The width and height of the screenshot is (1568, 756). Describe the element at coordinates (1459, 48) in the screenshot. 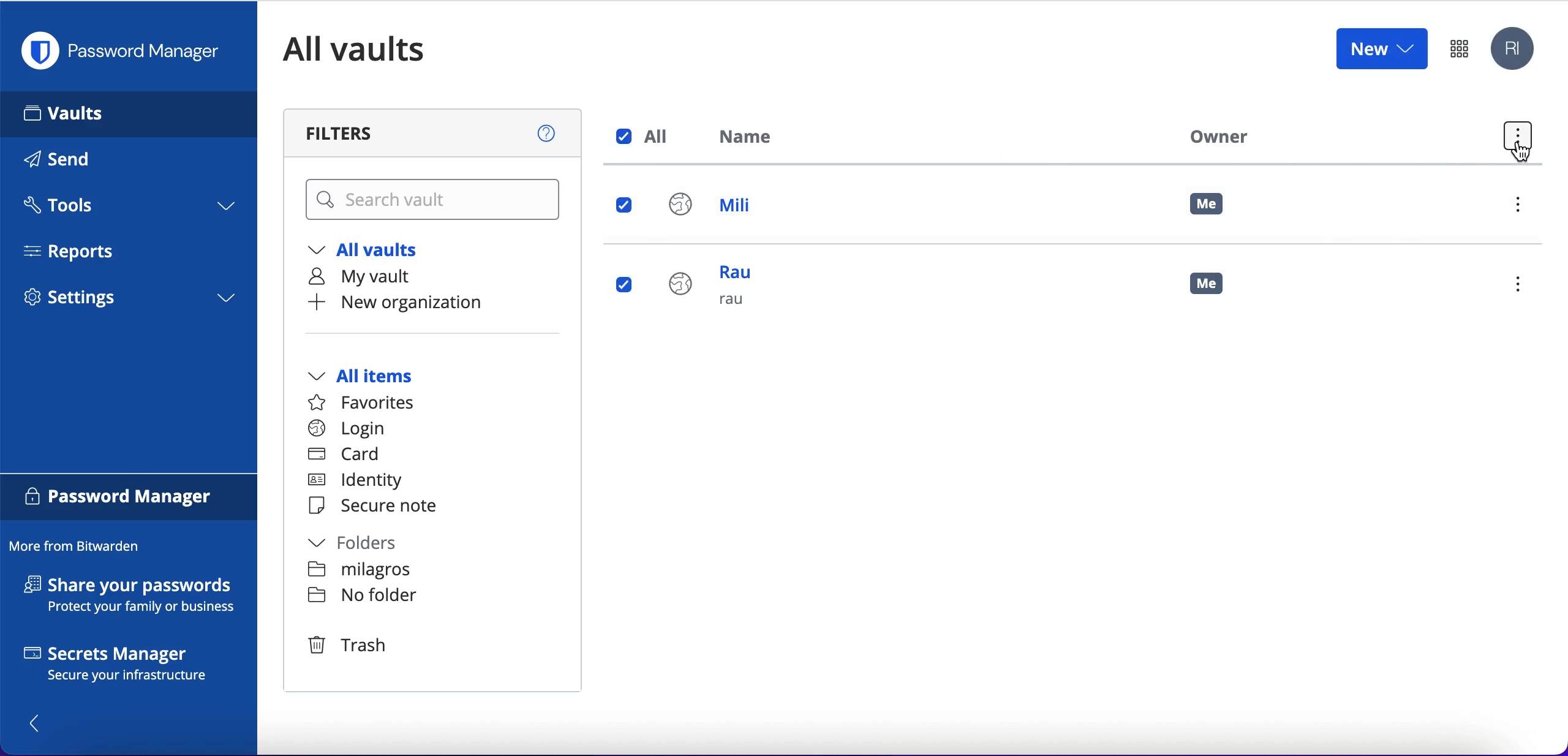

I see `password manager` at that location.